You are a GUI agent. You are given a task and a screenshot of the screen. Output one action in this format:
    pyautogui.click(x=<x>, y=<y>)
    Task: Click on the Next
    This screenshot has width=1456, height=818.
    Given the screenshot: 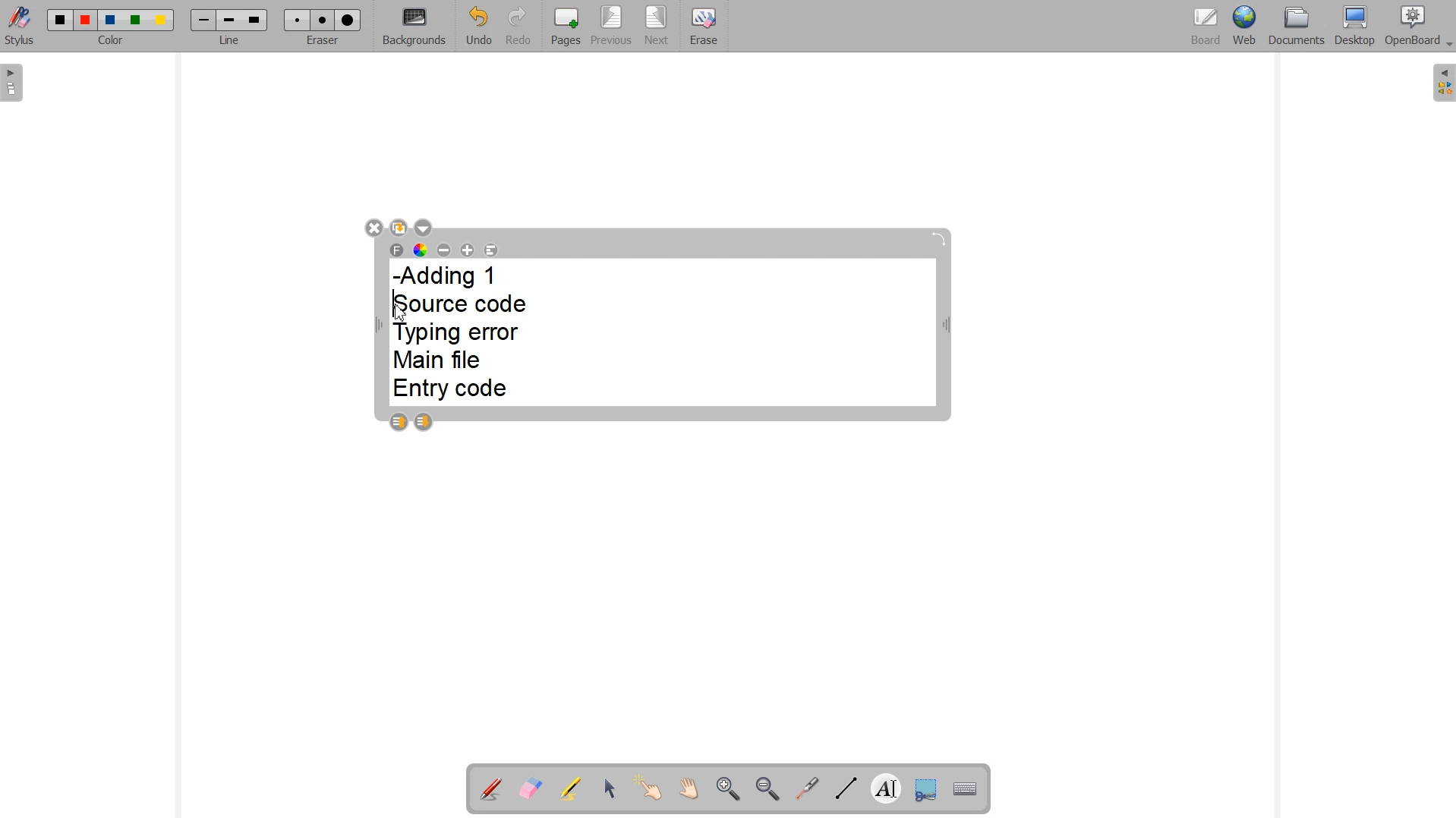 What is the action you would take?
    pyautogui.click(x=656, y=25)
    